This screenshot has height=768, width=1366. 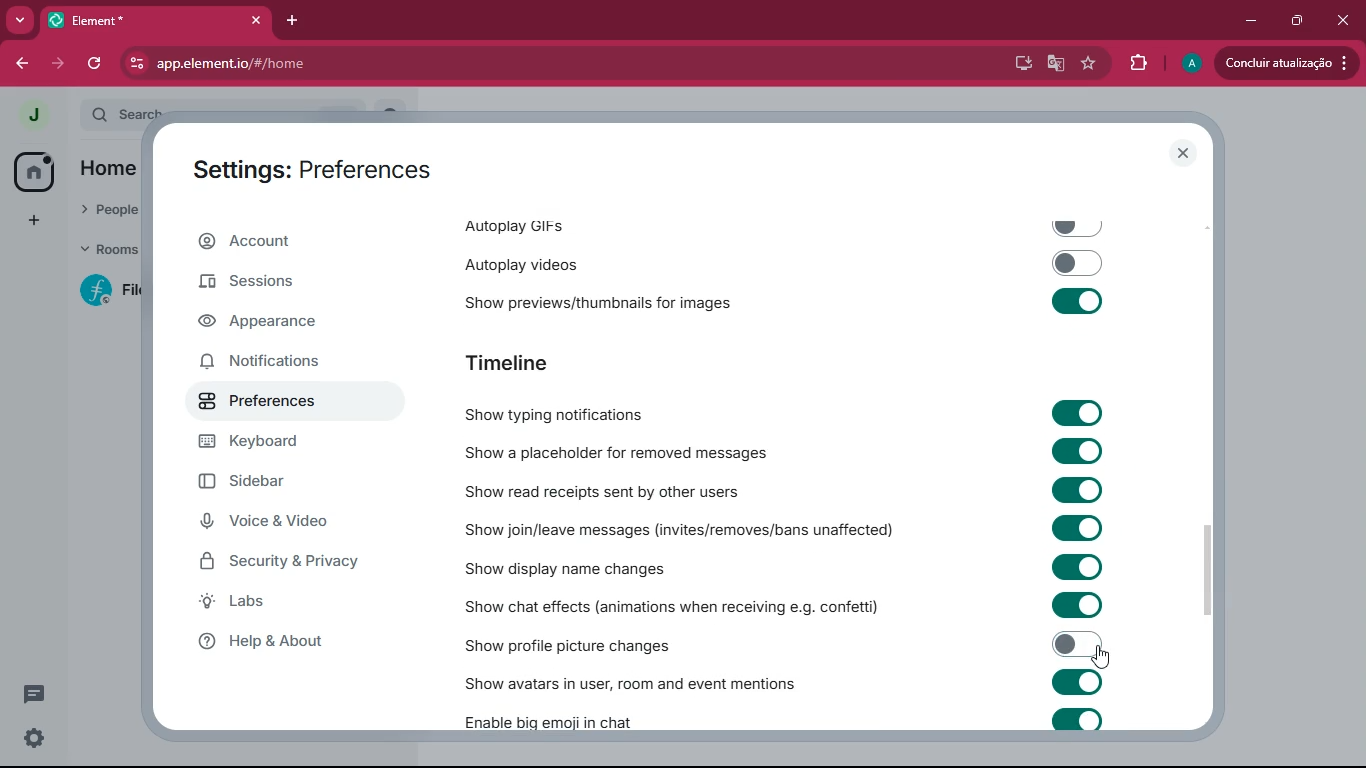 I want to click on conversation, so click(x=33, y=697).